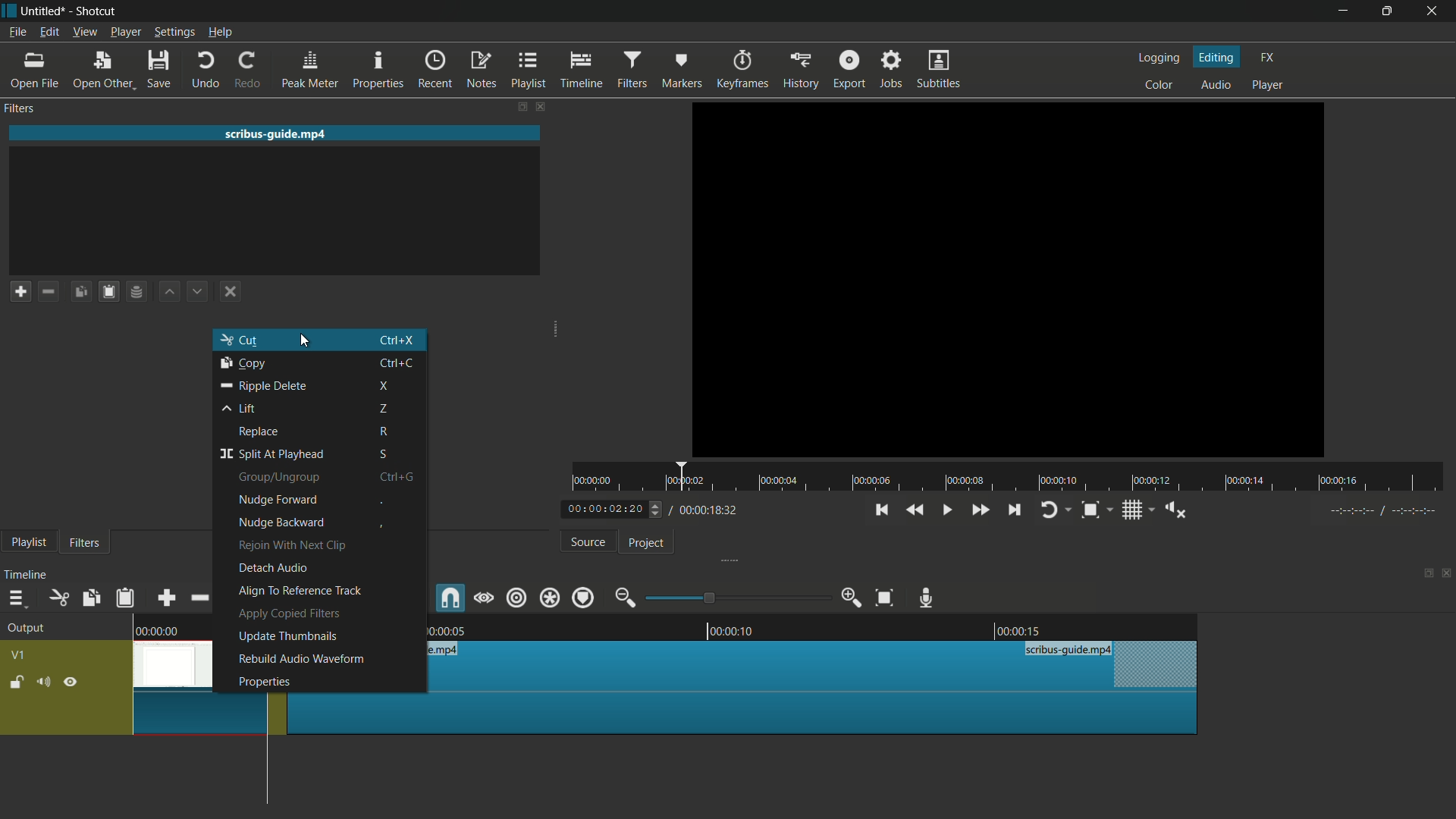 This screenshot has width=1456, height=819. Describe the element at coordinates (981, 510) in the screenshot. I see `quickly play forward` at that location.